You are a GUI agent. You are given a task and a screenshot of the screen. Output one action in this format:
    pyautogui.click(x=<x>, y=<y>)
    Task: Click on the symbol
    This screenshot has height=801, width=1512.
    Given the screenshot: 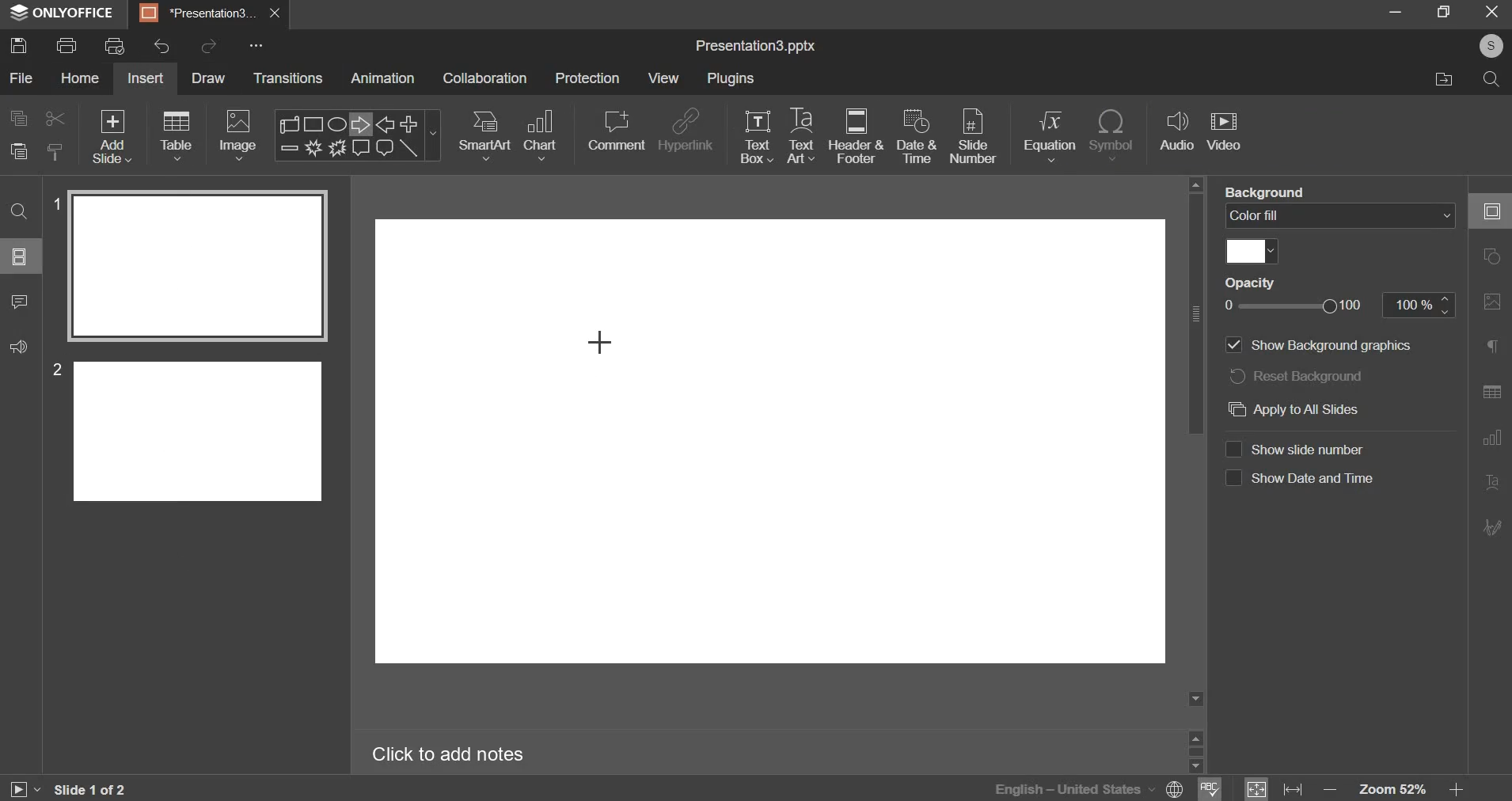 What is the action you would take?
    pyautogui.click(x=1111, y=135)
    